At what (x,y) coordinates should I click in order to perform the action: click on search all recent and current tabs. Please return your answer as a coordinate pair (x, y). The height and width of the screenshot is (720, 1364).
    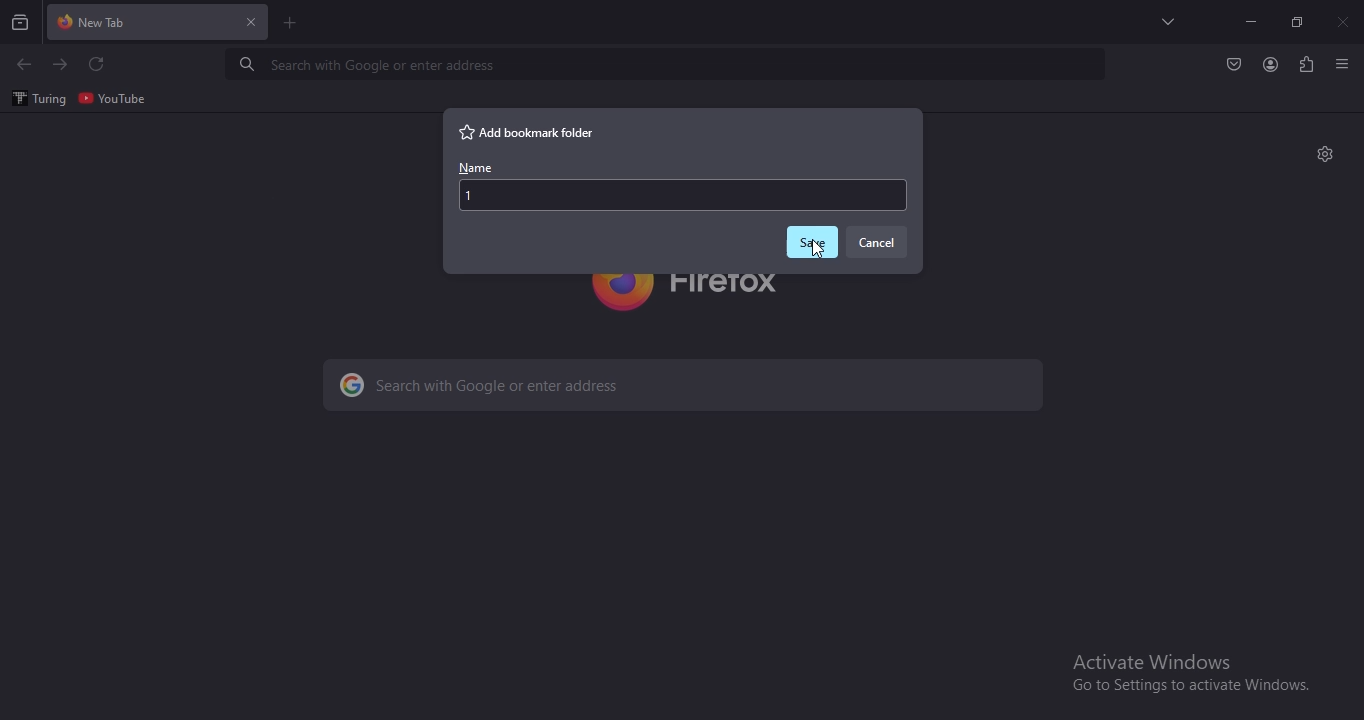
    Looking at the image, I should click on (22, 24).